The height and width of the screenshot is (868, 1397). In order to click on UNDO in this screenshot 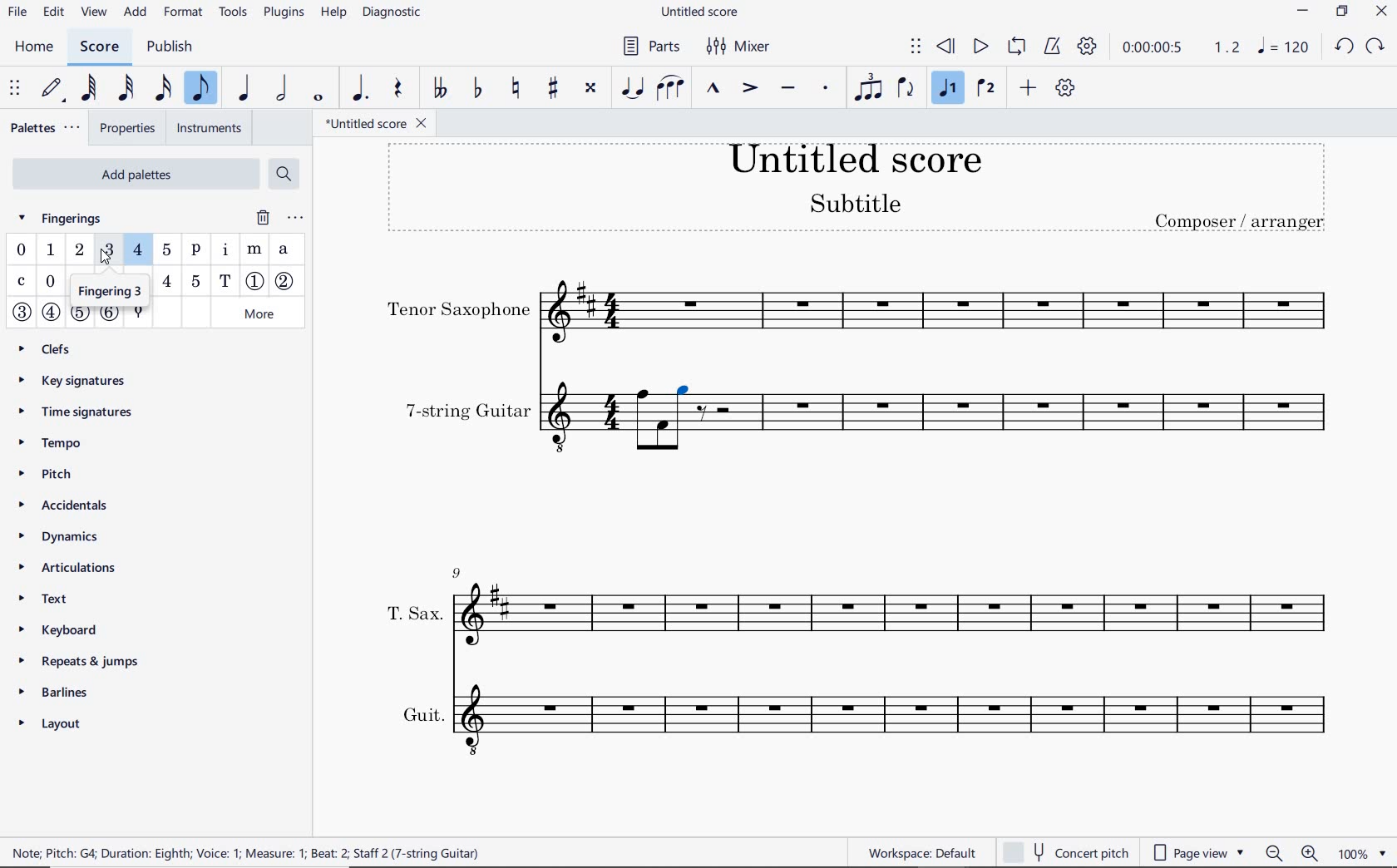, I will do `click(1344, 46)`.